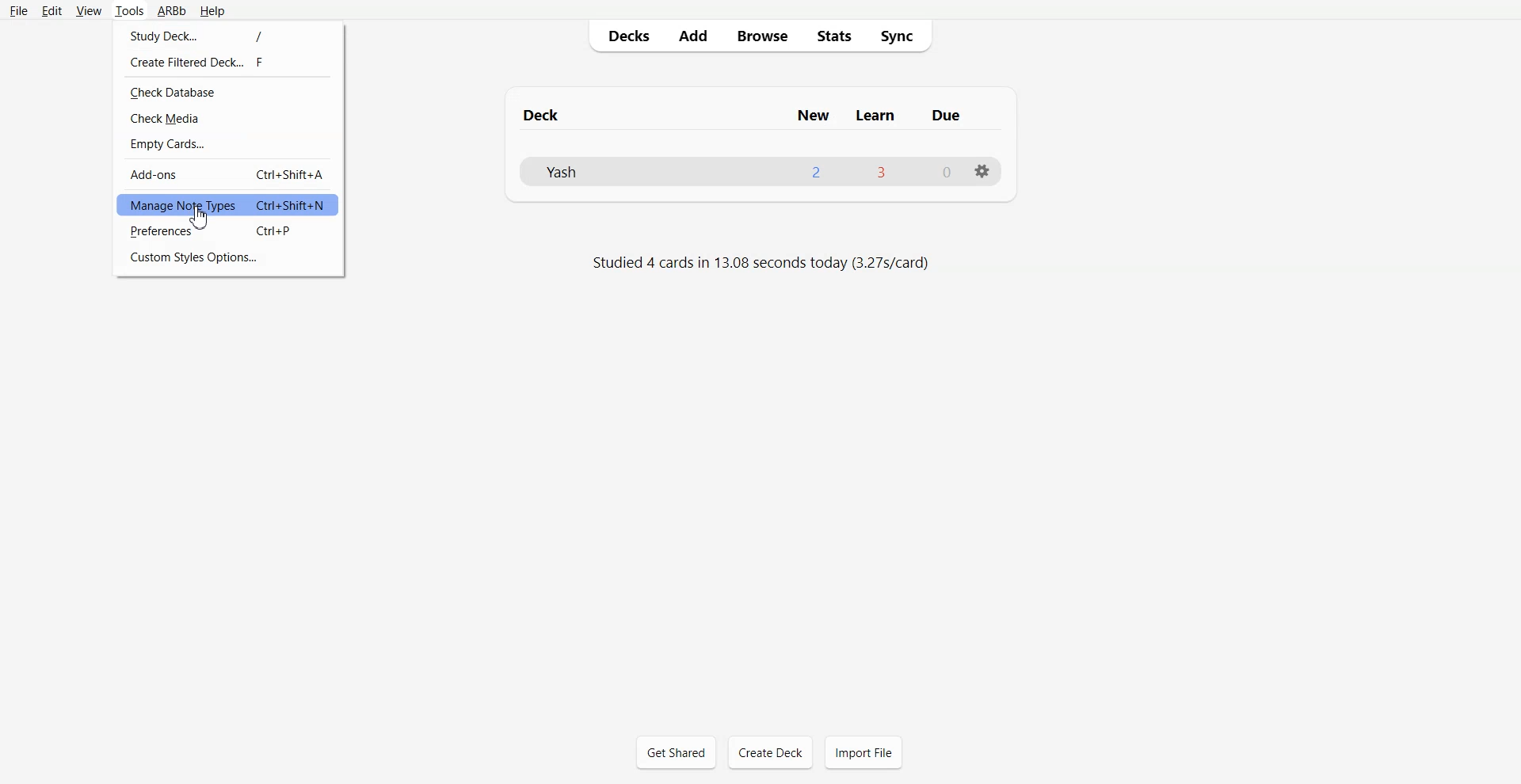 Image resolution: width=1521 pixels, height=784 pixels. I want to click on cursor, so click(201, 219).